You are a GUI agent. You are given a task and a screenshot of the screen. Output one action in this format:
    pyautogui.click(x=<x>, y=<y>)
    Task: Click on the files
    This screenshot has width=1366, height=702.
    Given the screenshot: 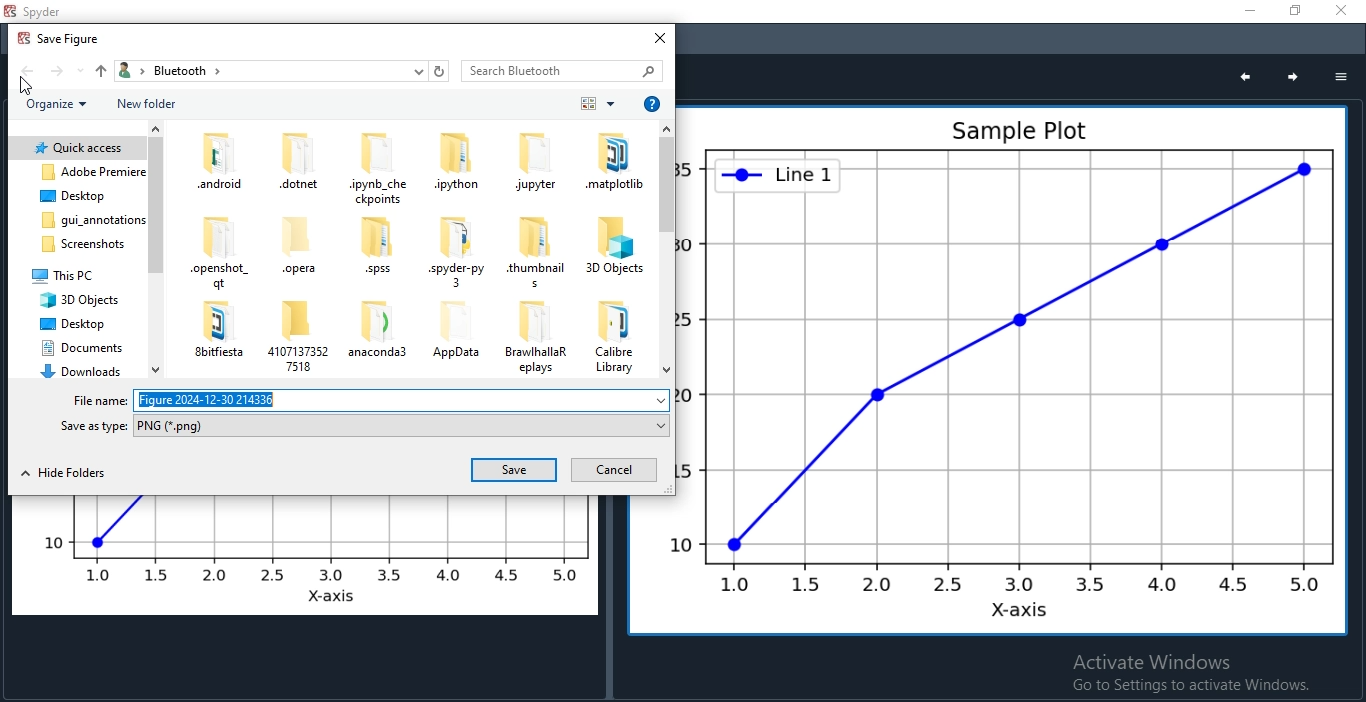 What is the action you would take?
    pyautogui.click(x=379, y=329)
    